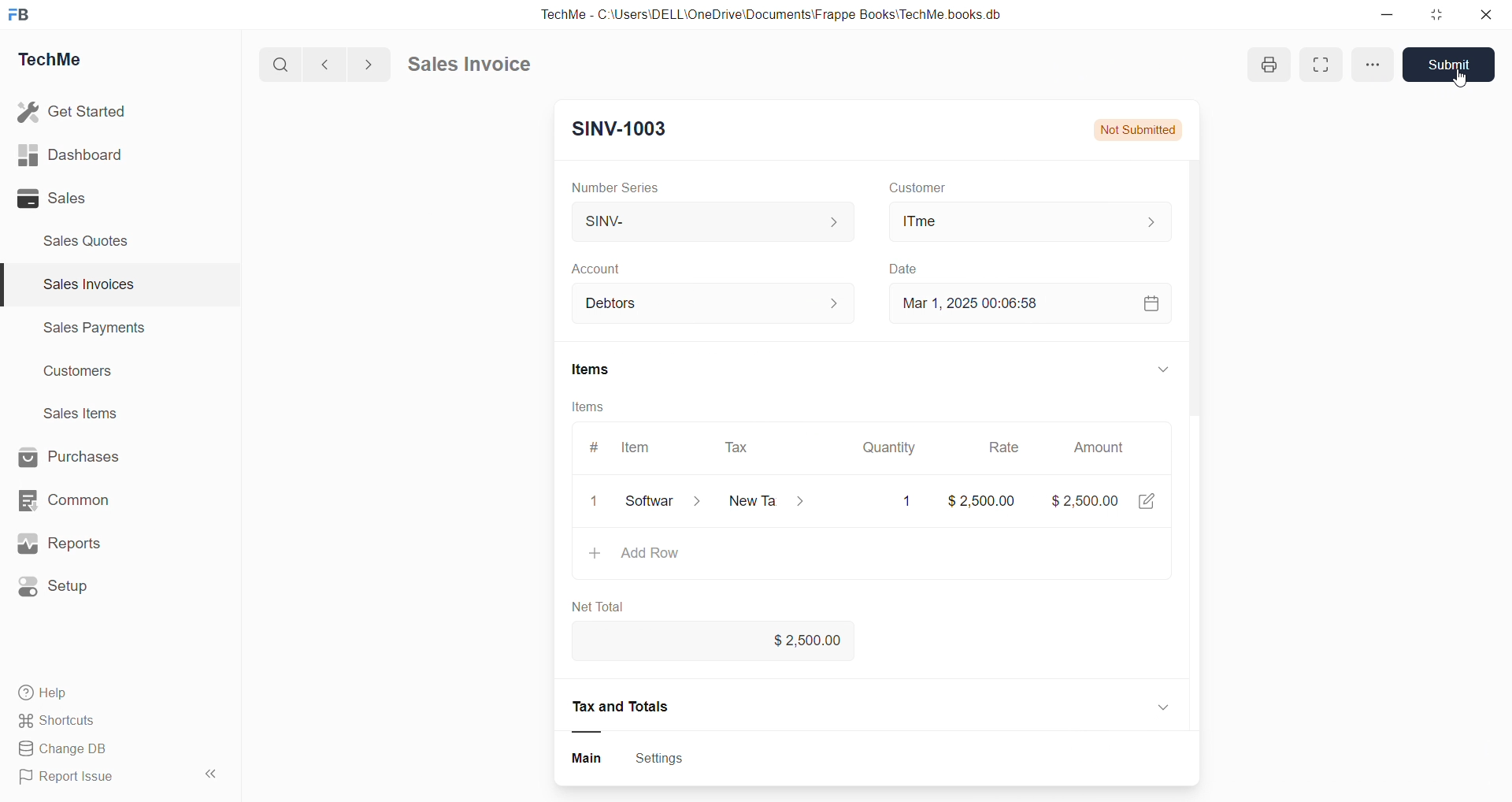 The height and width of the screenshot is (802, 1512). Describe the element at coordinates (348, 63) in the screenshot. I see `Forward/Backward` at that location.